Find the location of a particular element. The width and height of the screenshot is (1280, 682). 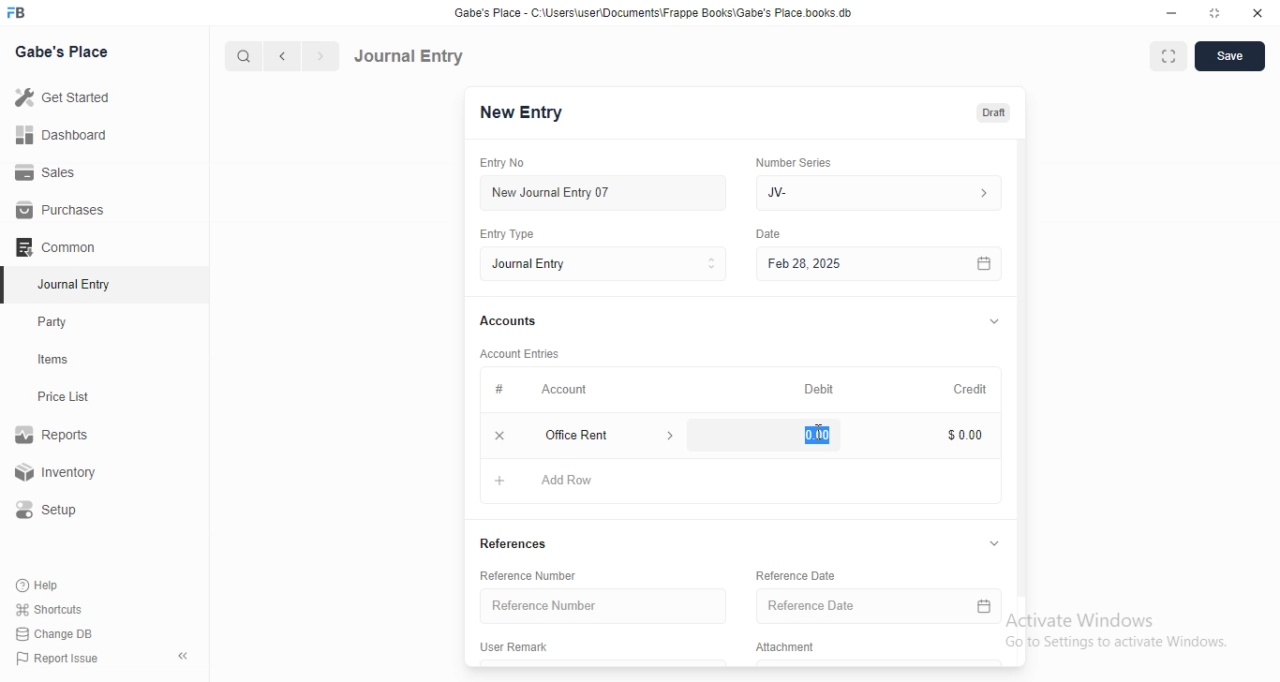

tems is located at coordinates (61, 360).